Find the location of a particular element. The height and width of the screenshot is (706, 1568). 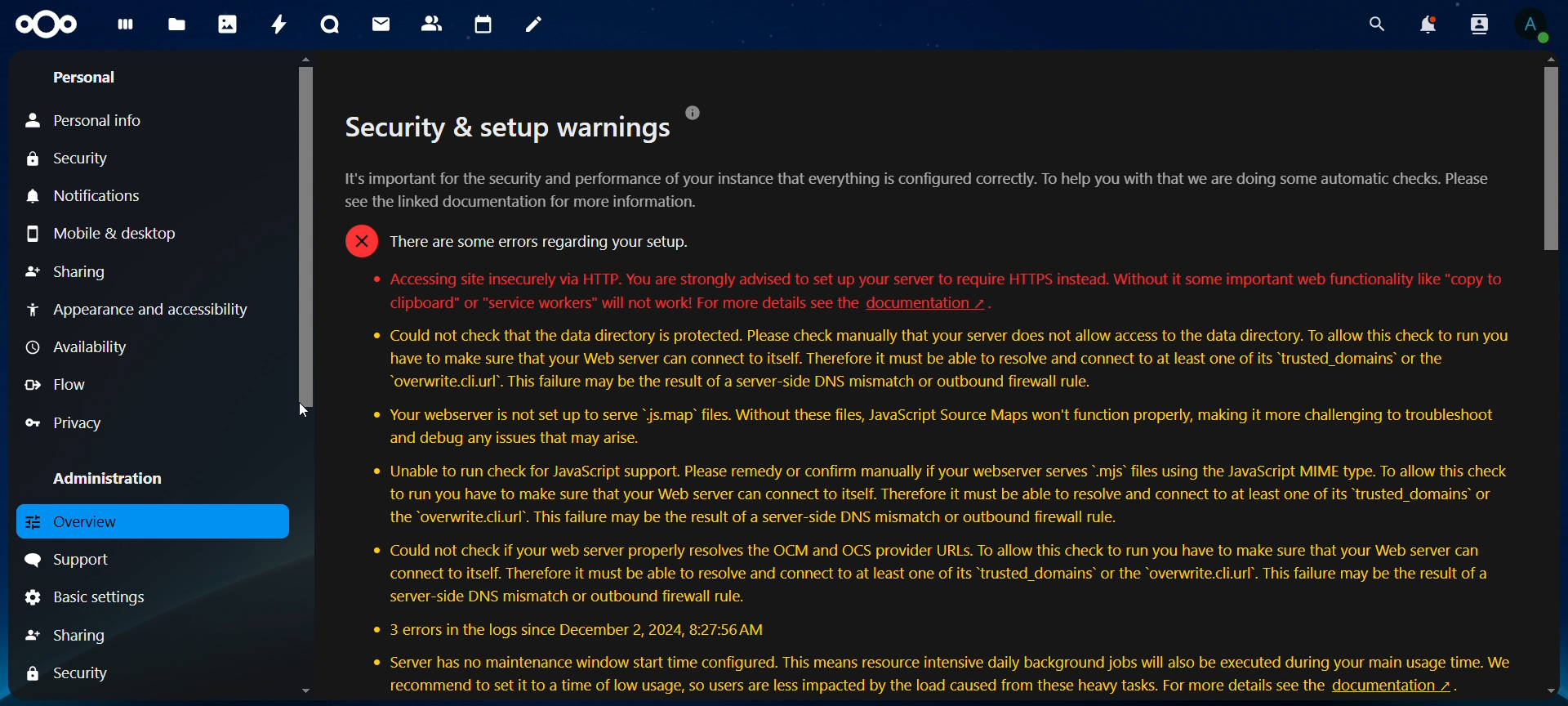

privacy is located at coordinates (74, 422).